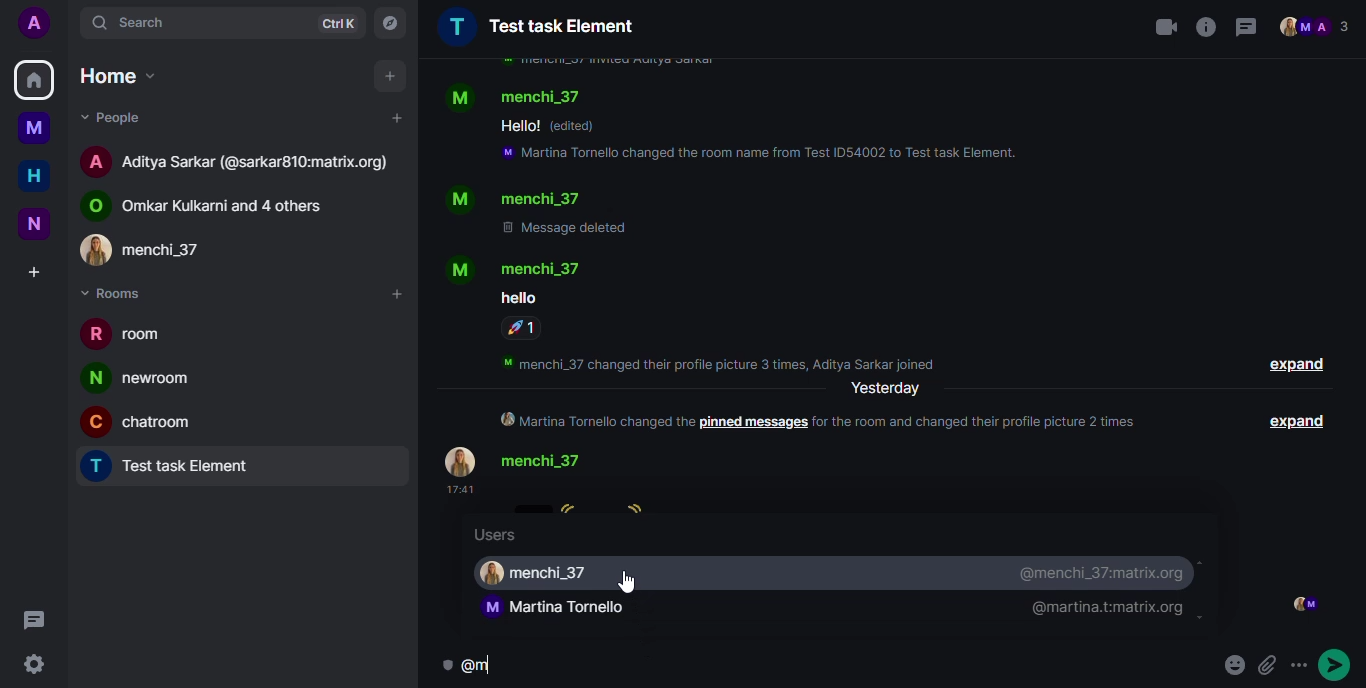 This screenshot has width=1366, height=688. I want to click on new, so click(35, 222).